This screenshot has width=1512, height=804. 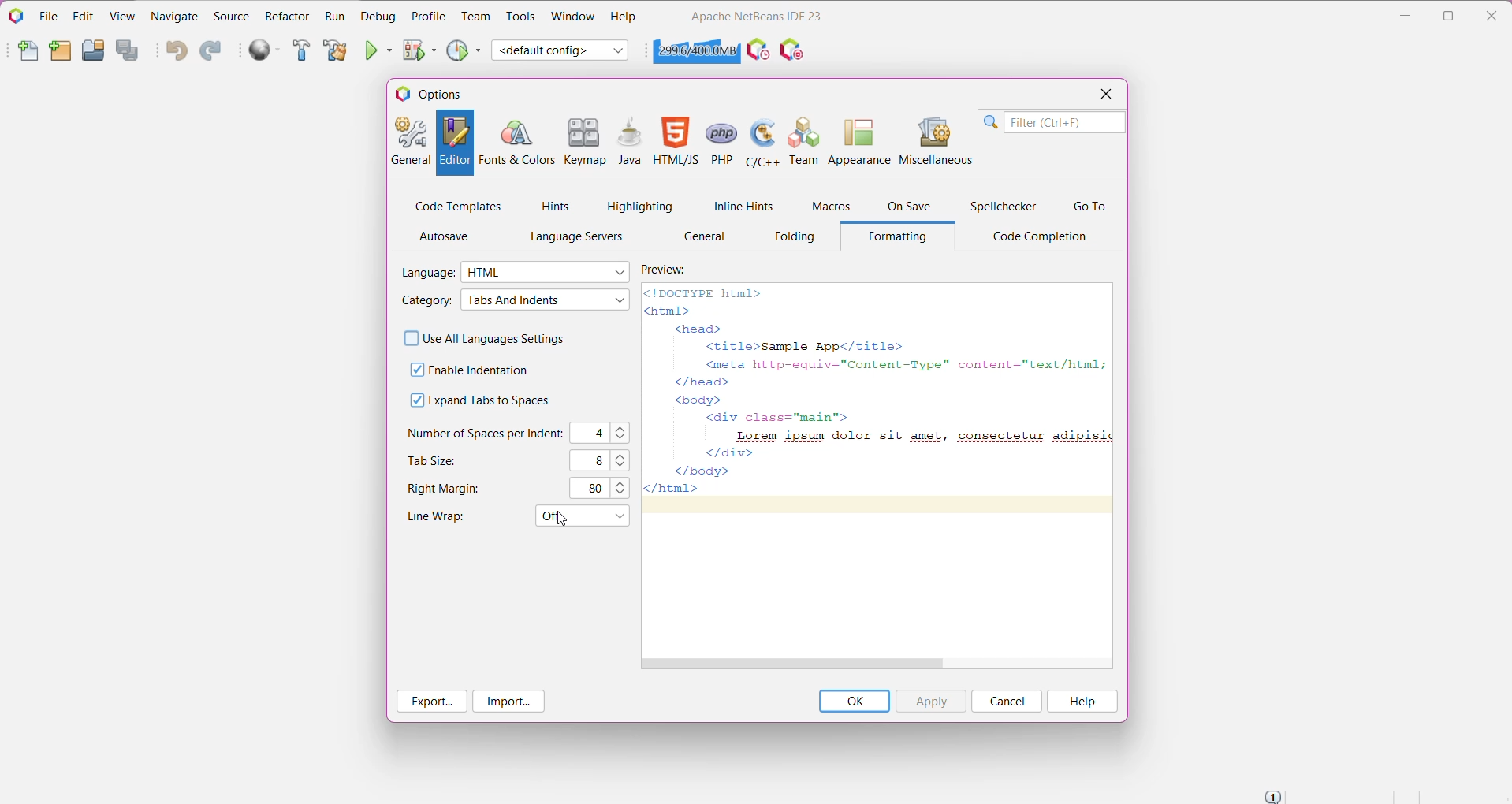 What do you see at coordinates (794, 49) in the screenshot?
I see `I/O Checks` at bounding box center [794, 49].